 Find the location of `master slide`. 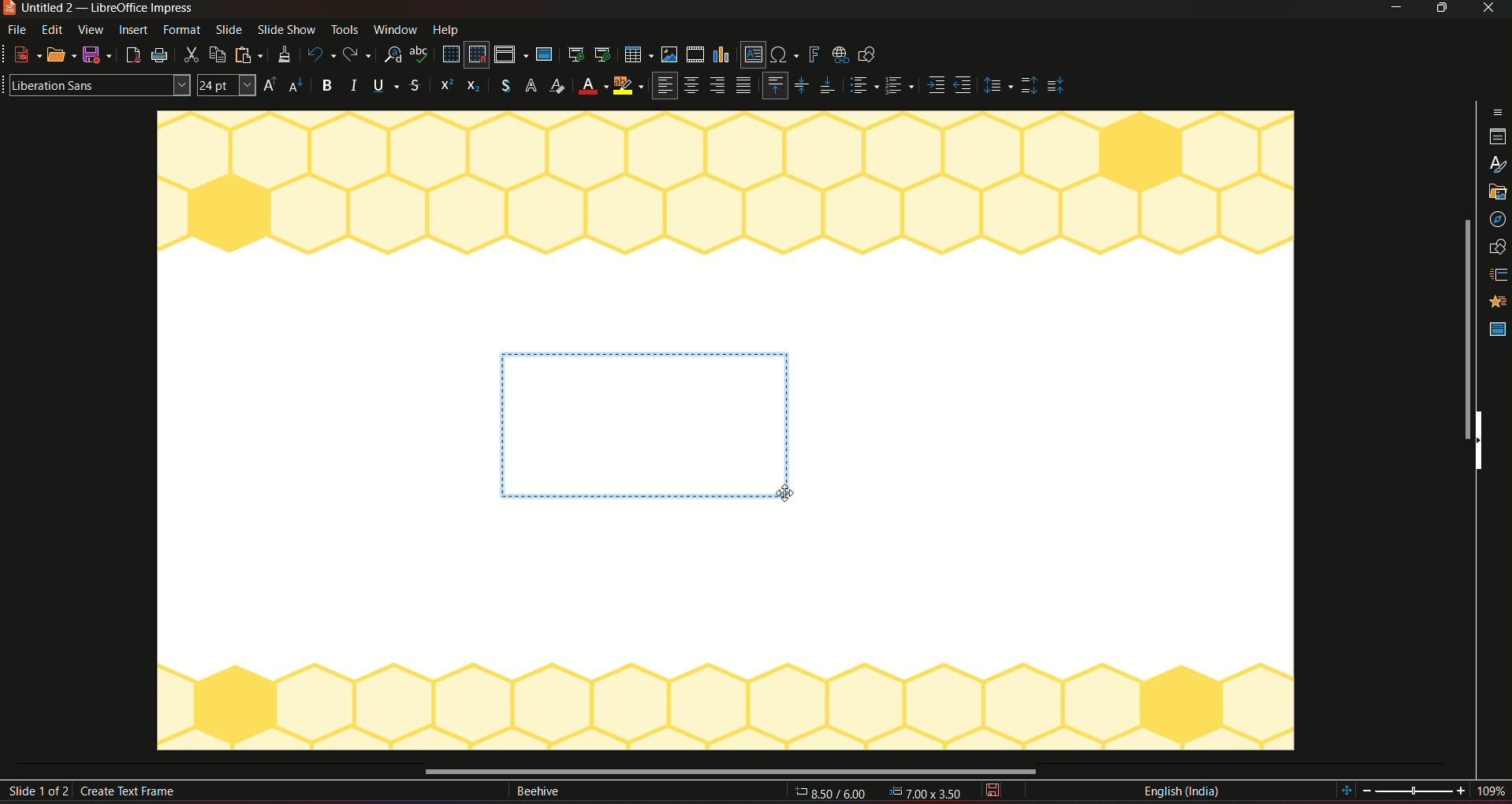

master slide is located at coordinates (547, 55).